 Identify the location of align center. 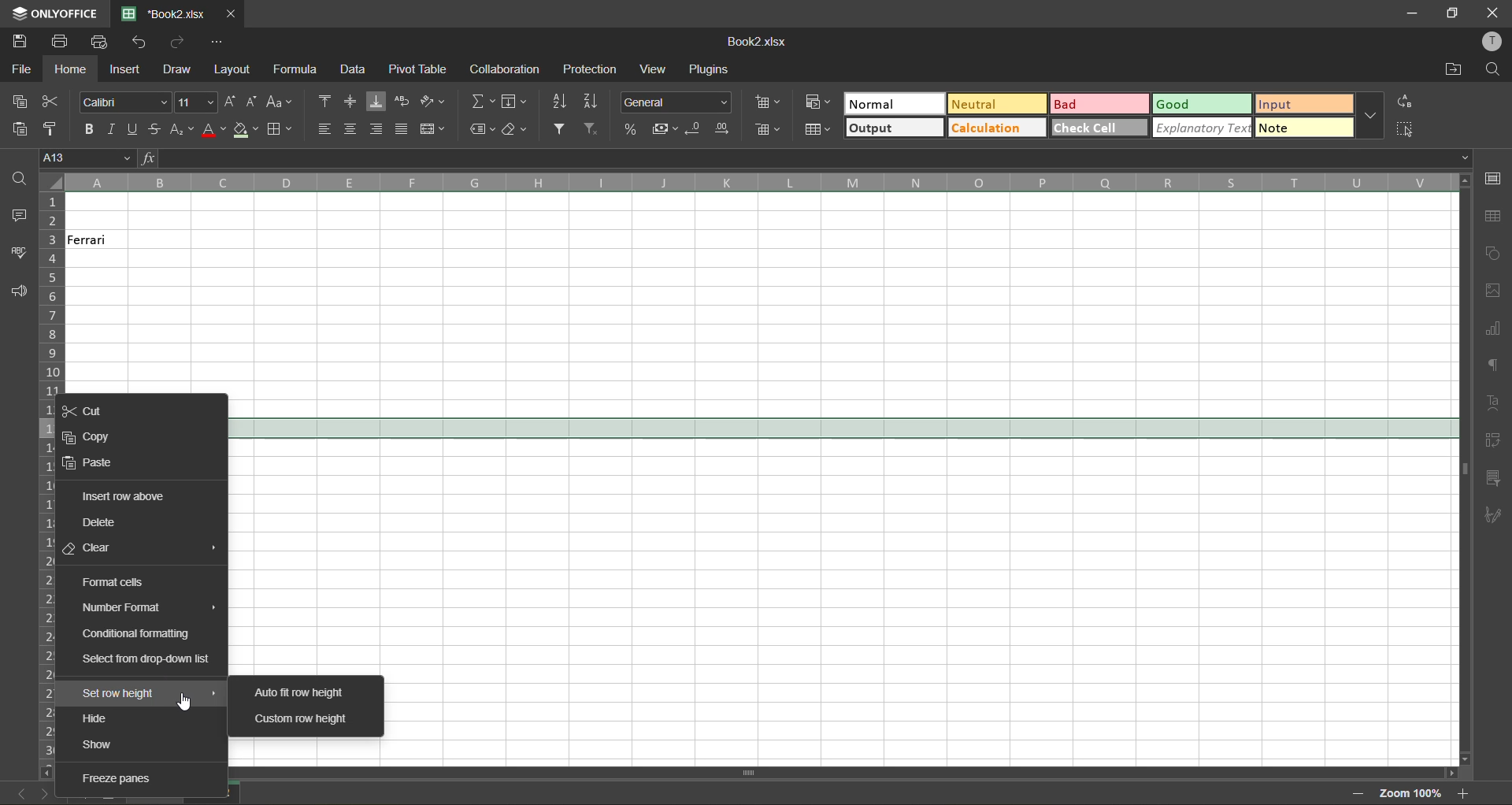
(354, 129).